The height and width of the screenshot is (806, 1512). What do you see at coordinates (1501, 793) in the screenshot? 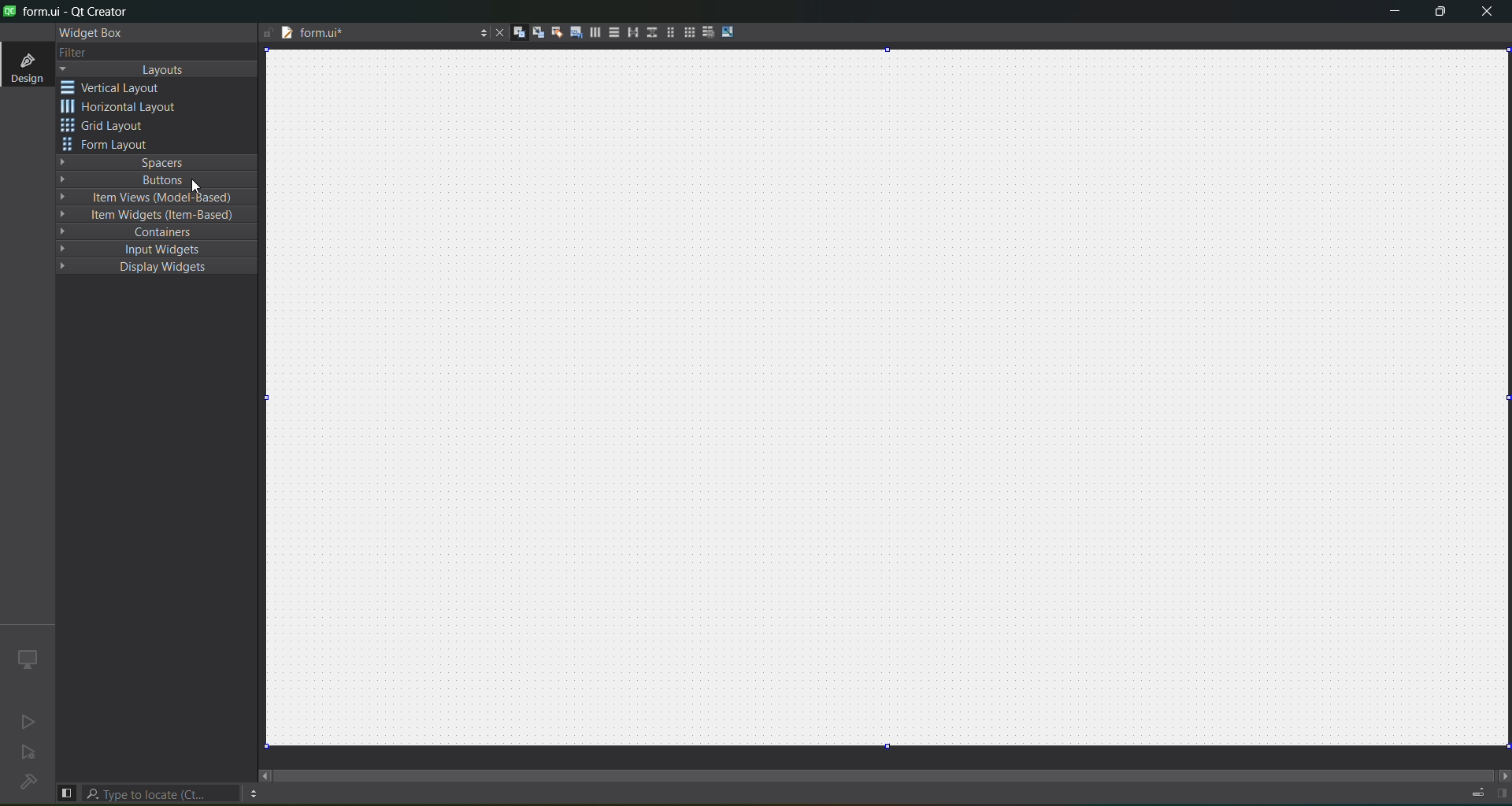
I see `show/hide right pane` at bounding box center [1501, 793].